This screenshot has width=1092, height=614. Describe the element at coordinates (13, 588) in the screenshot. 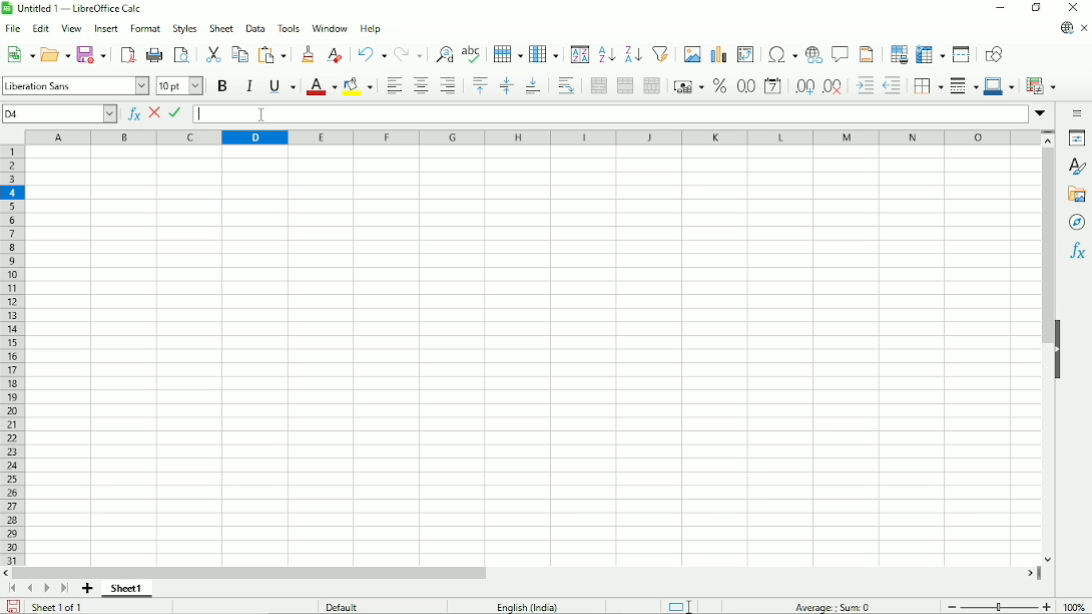

I see `Scroll to first sheet` at that location.